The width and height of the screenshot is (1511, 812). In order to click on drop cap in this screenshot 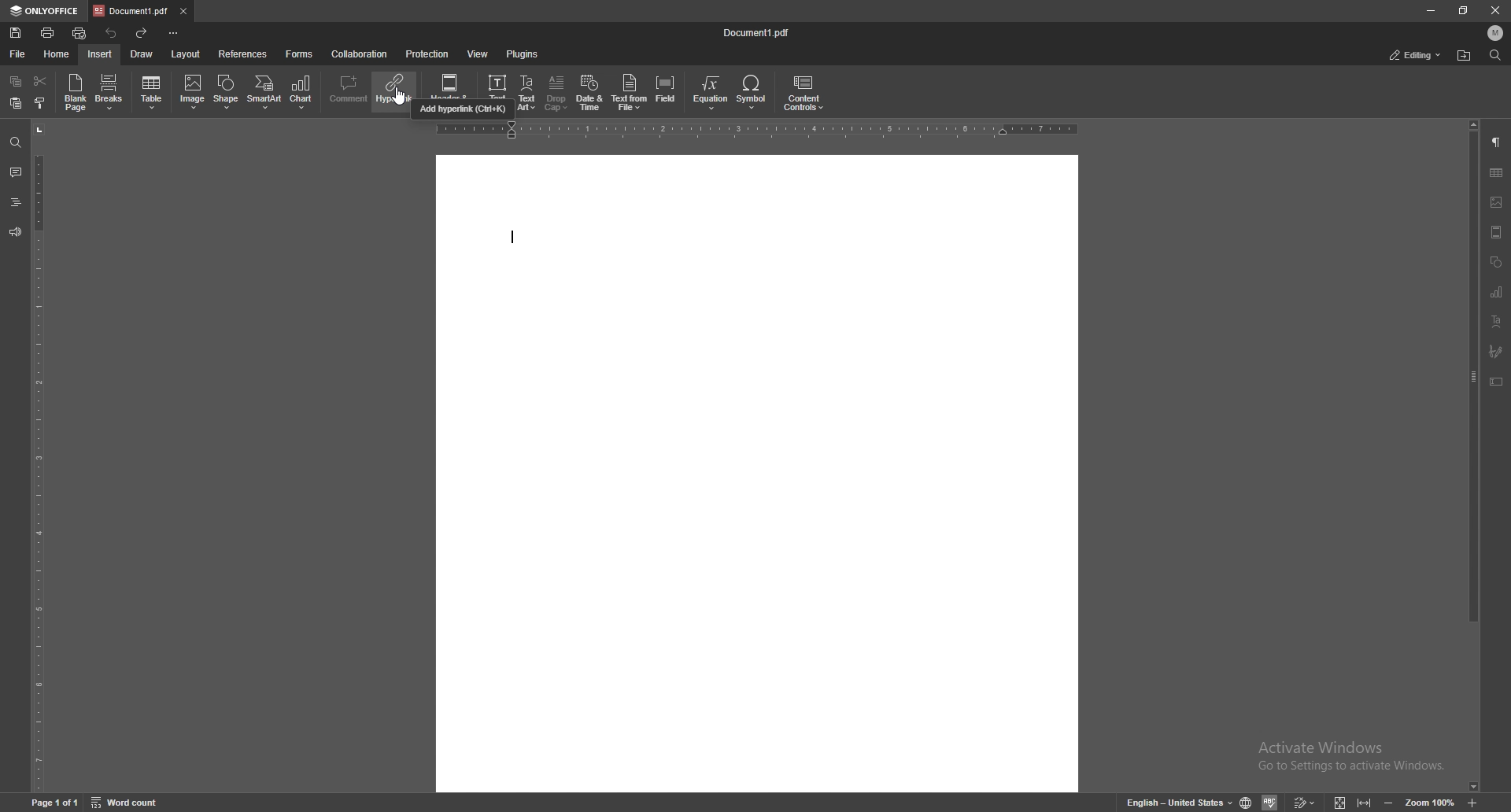, I will do `click(556, 93)`.